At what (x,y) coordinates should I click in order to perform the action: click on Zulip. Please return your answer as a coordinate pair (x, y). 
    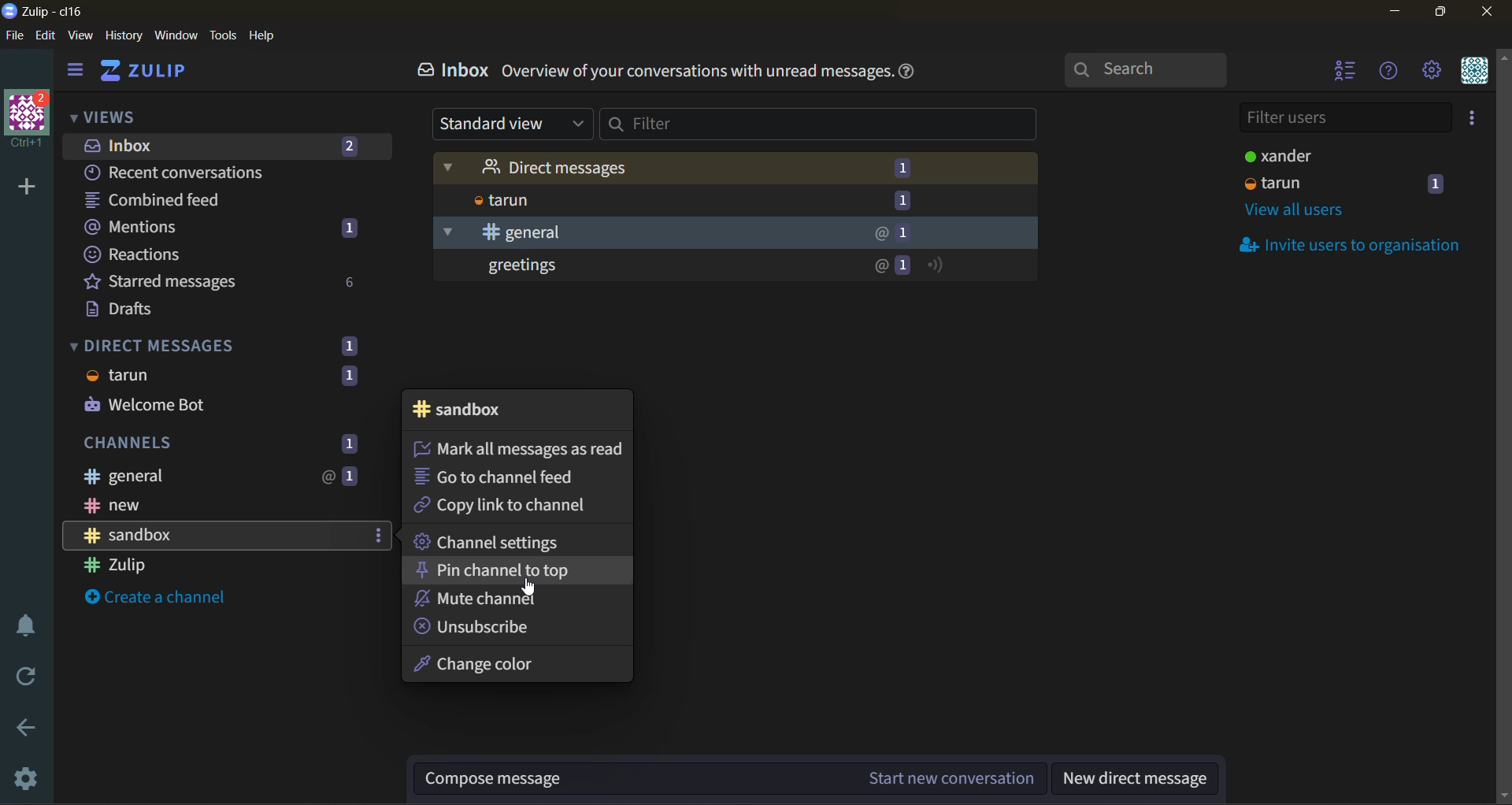
    Looking at the image, I should click on (180, 565).